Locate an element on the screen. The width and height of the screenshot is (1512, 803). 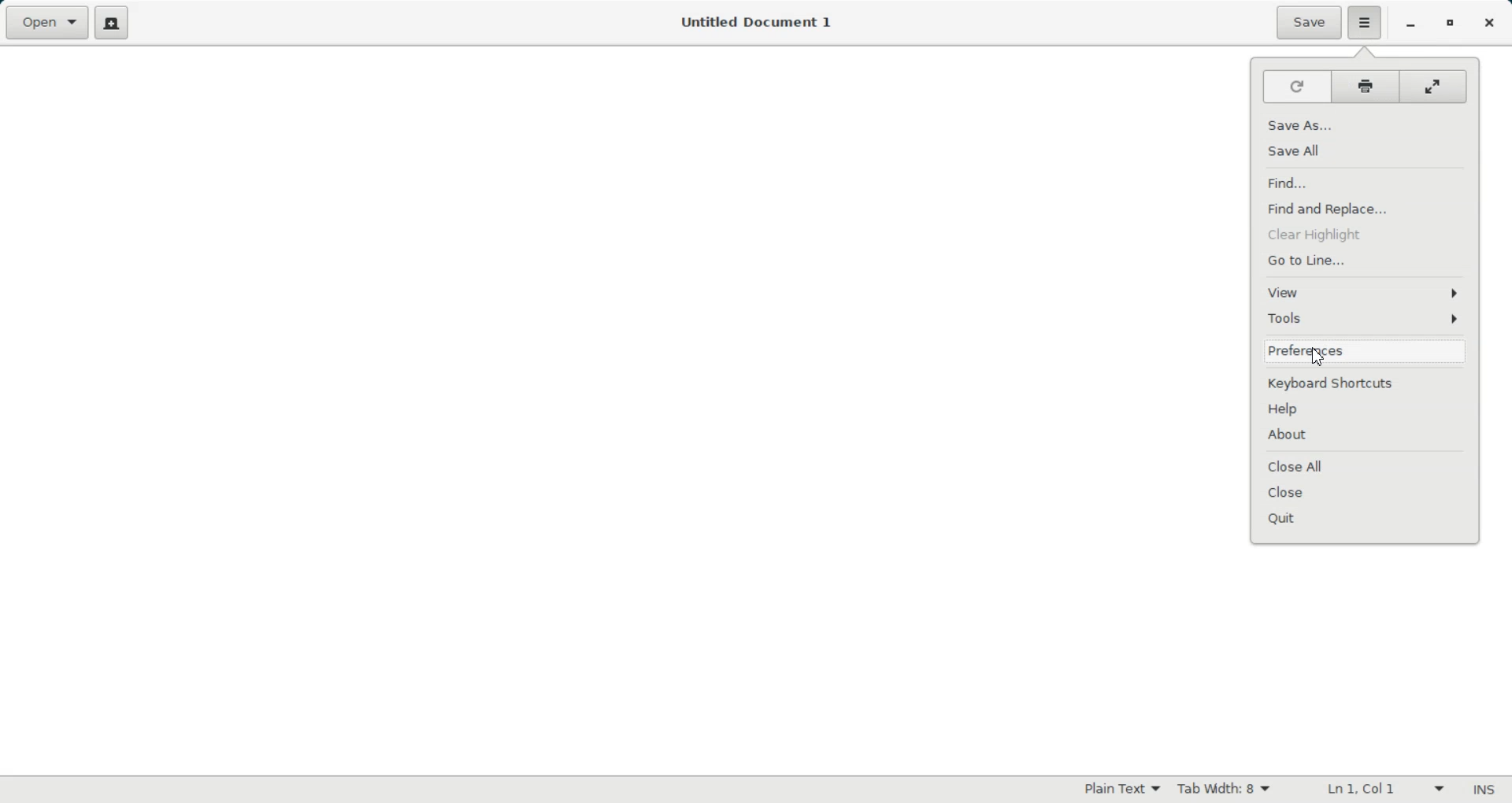
Restore is located at coordinates (1450, 24).